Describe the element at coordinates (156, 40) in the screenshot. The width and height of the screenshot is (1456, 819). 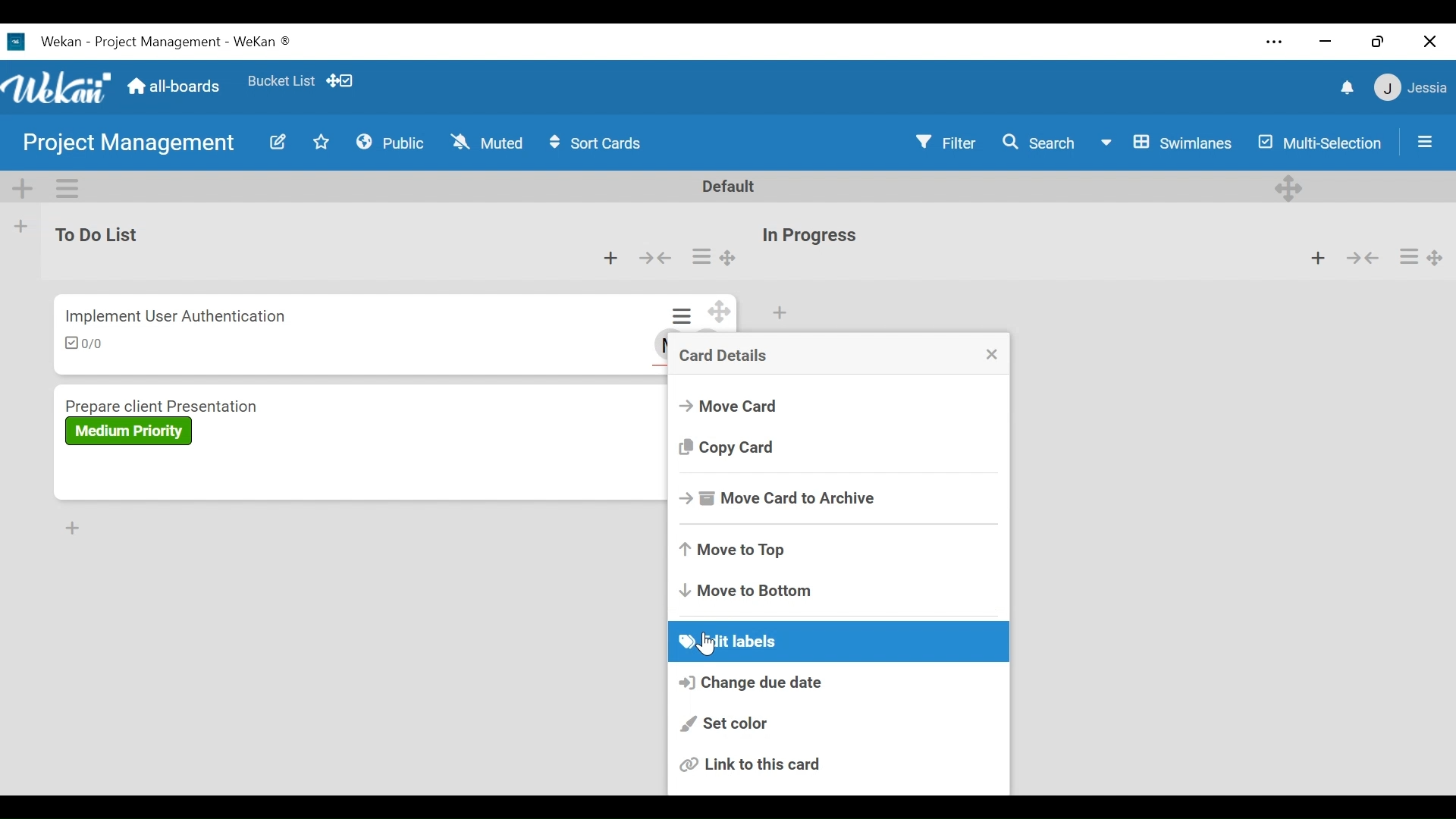
I see `Wekan Desktop Icon` at that location.